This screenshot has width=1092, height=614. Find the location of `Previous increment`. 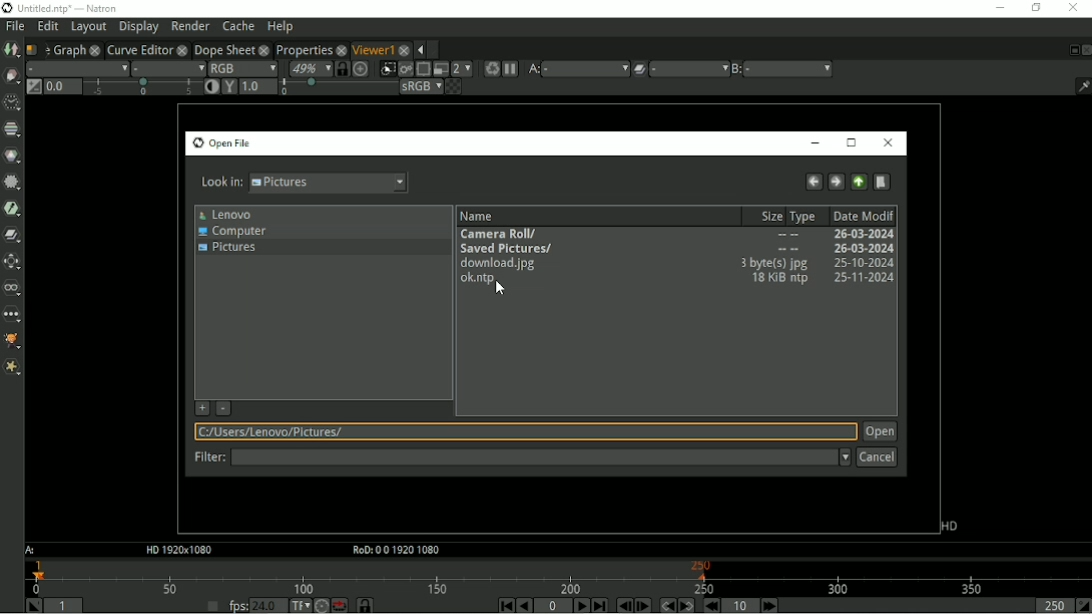

Previous increment is located at coordinates (710, 605).